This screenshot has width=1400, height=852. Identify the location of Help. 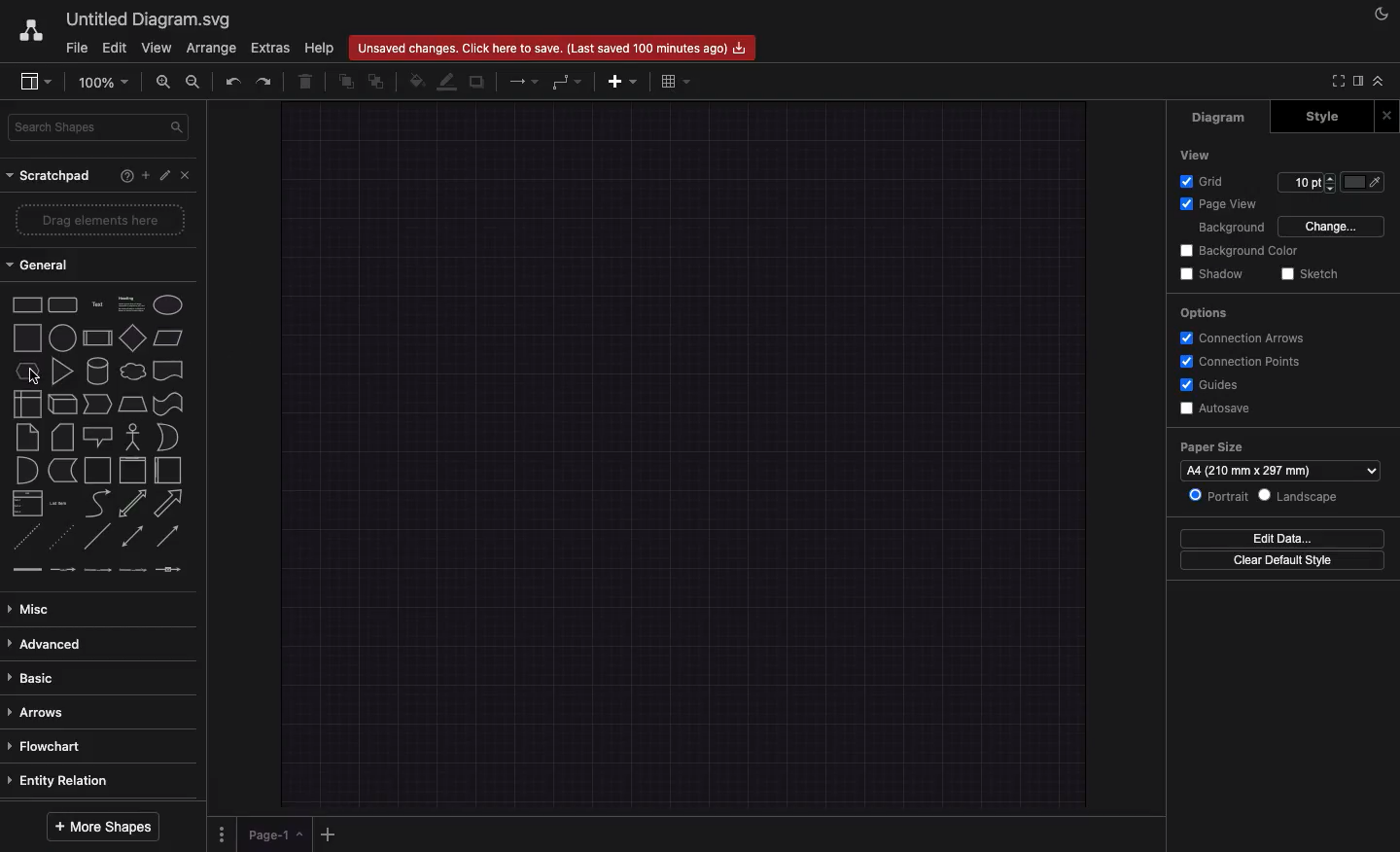
(322, 49).